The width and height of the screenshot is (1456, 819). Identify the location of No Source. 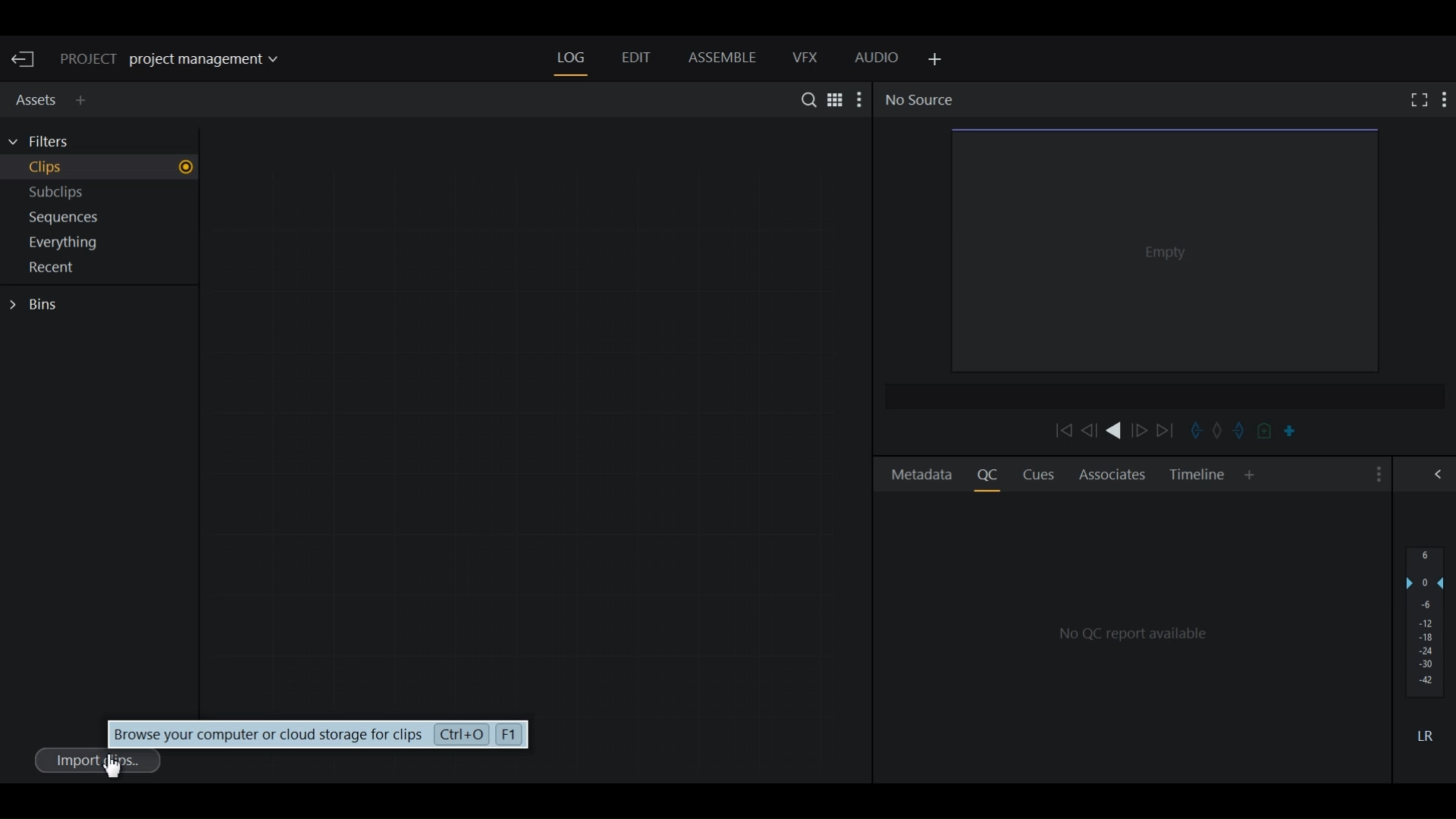
(918, 100).